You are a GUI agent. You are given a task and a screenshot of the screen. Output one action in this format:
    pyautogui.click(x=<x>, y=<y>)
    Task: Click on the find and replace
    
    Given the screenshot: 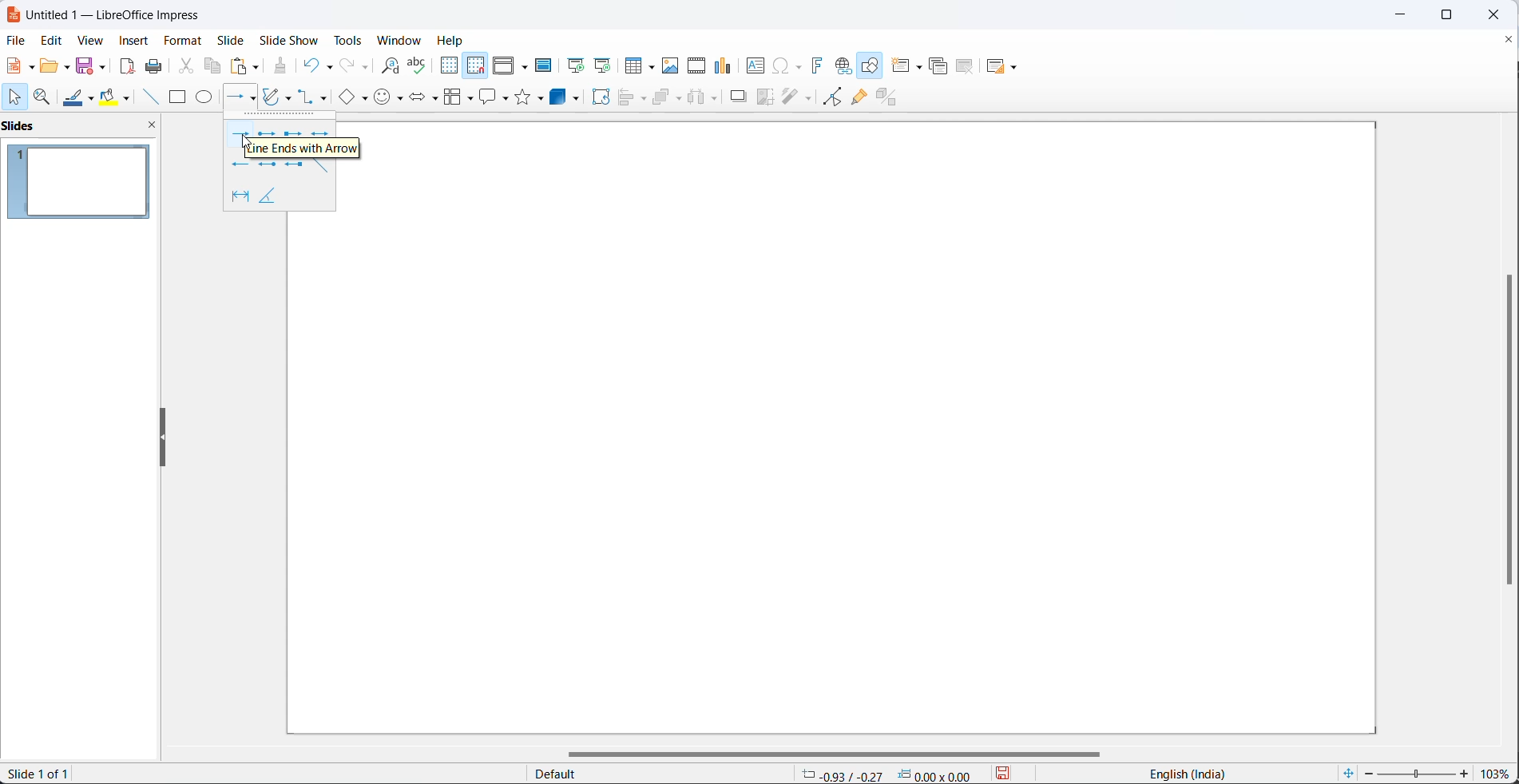 What is the action you would take?
    pyautogui.click(x=386, y=65)
    